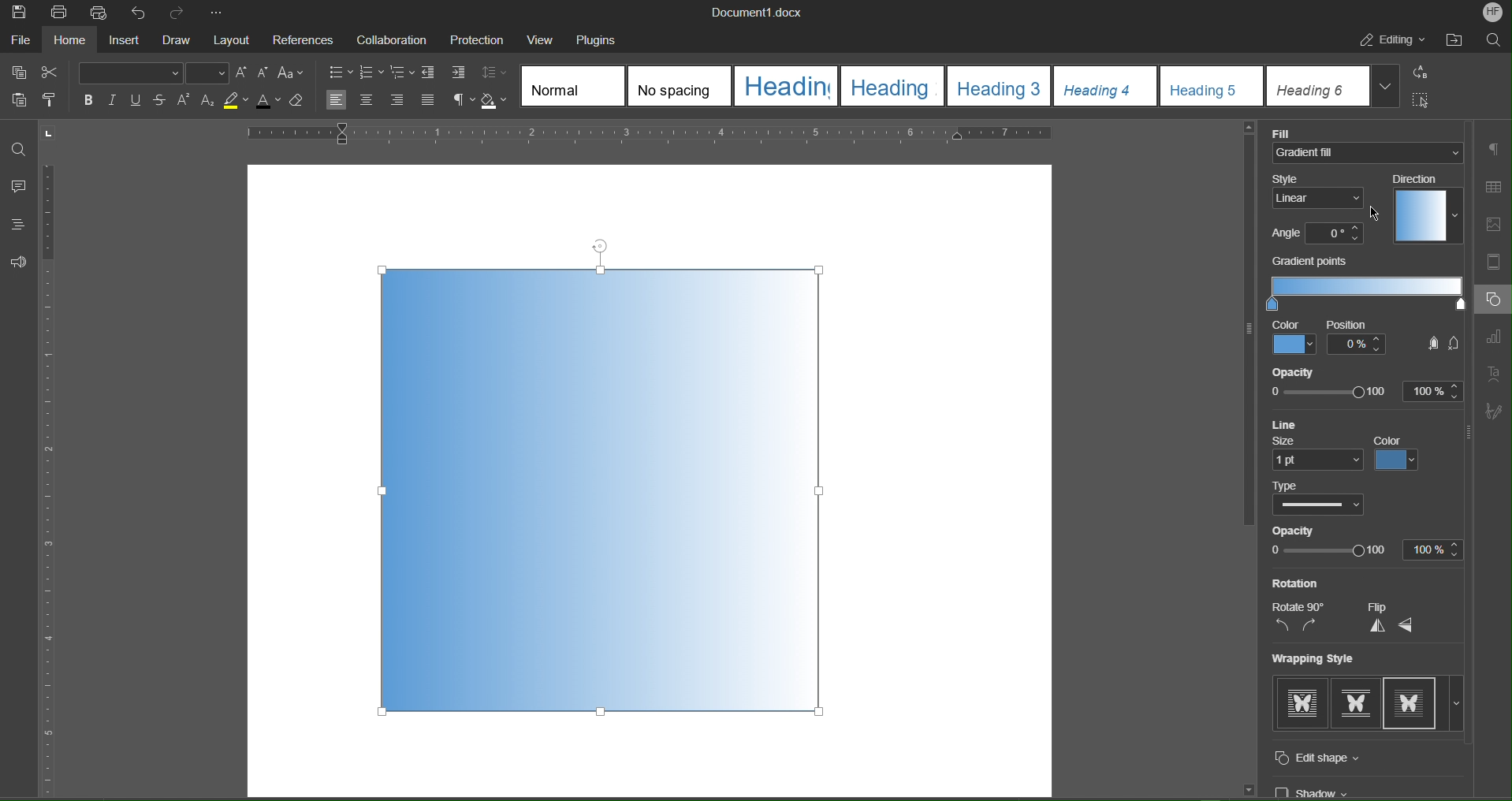  Describe the element at coordinates (1323, 790) in the screenshot. I see `Shadow` at that location.